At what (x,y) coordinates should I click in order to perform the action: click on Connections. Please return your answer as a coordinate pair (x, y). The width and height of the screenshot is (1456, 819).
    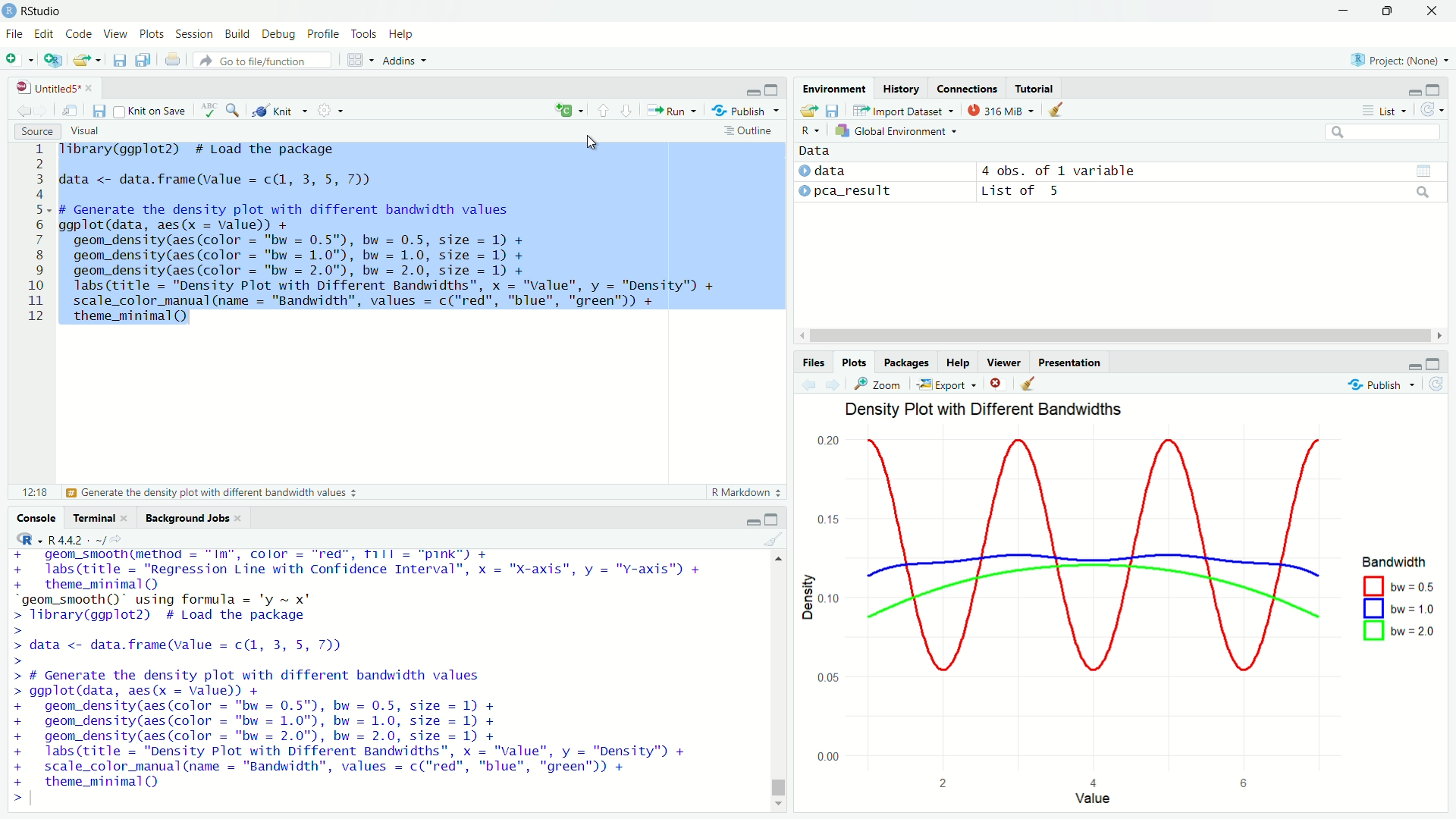
    Looking at the image, I should click on (965, 87).